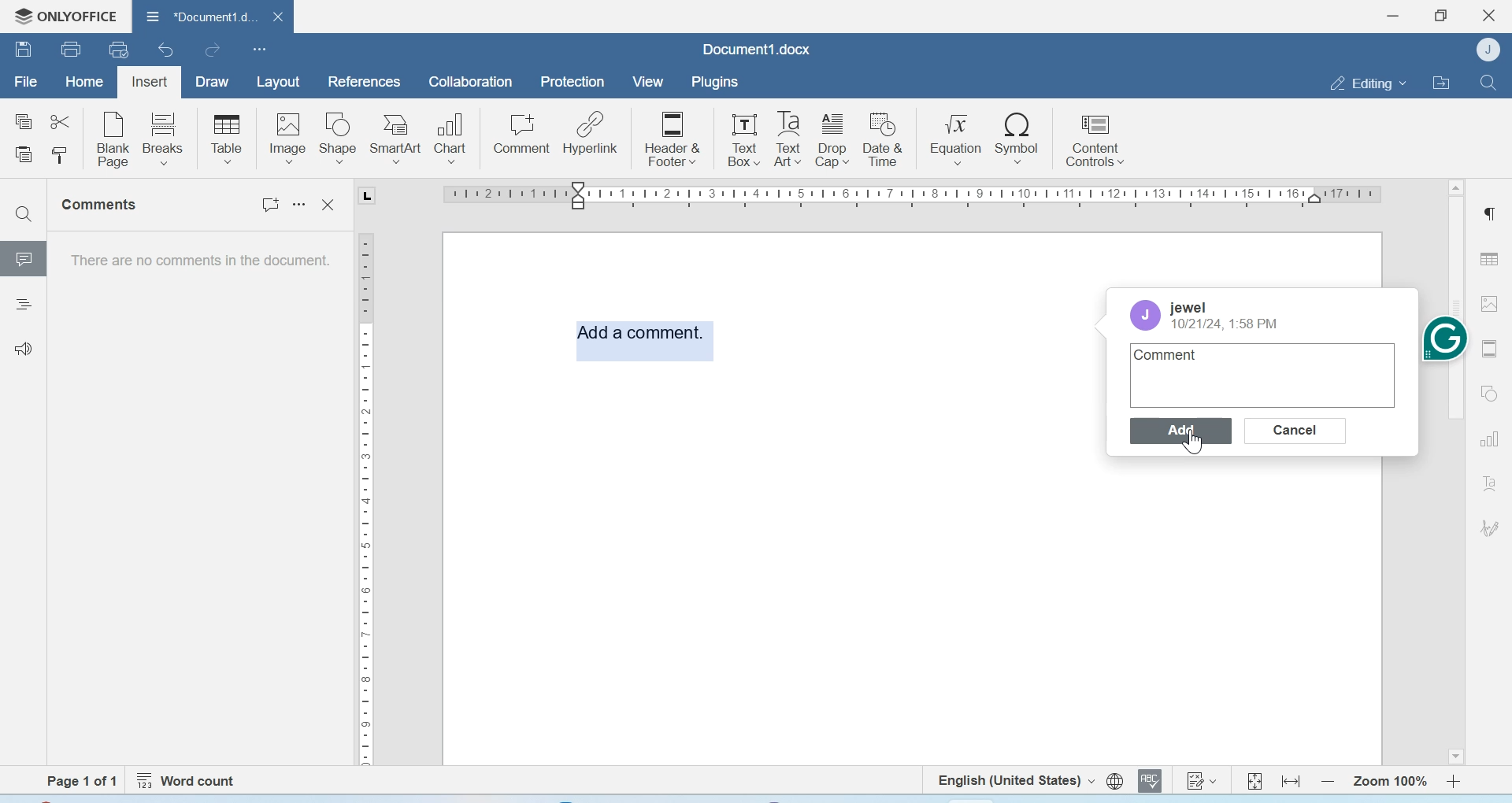  I want to click on Scrollbar, so click(1455, 566).